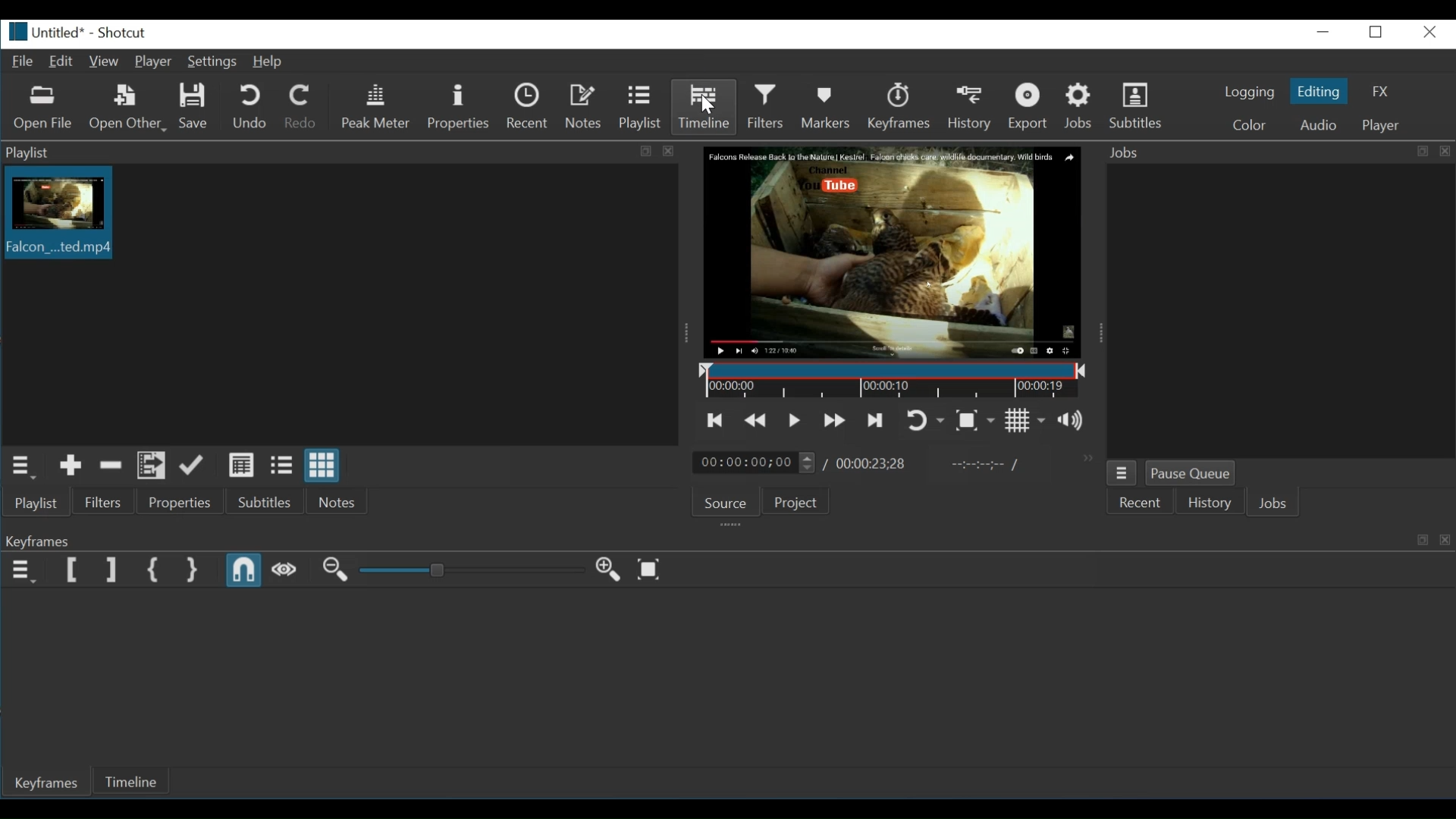 The image size is (1456, 819). I want to click on Properties, so click(184, 502).